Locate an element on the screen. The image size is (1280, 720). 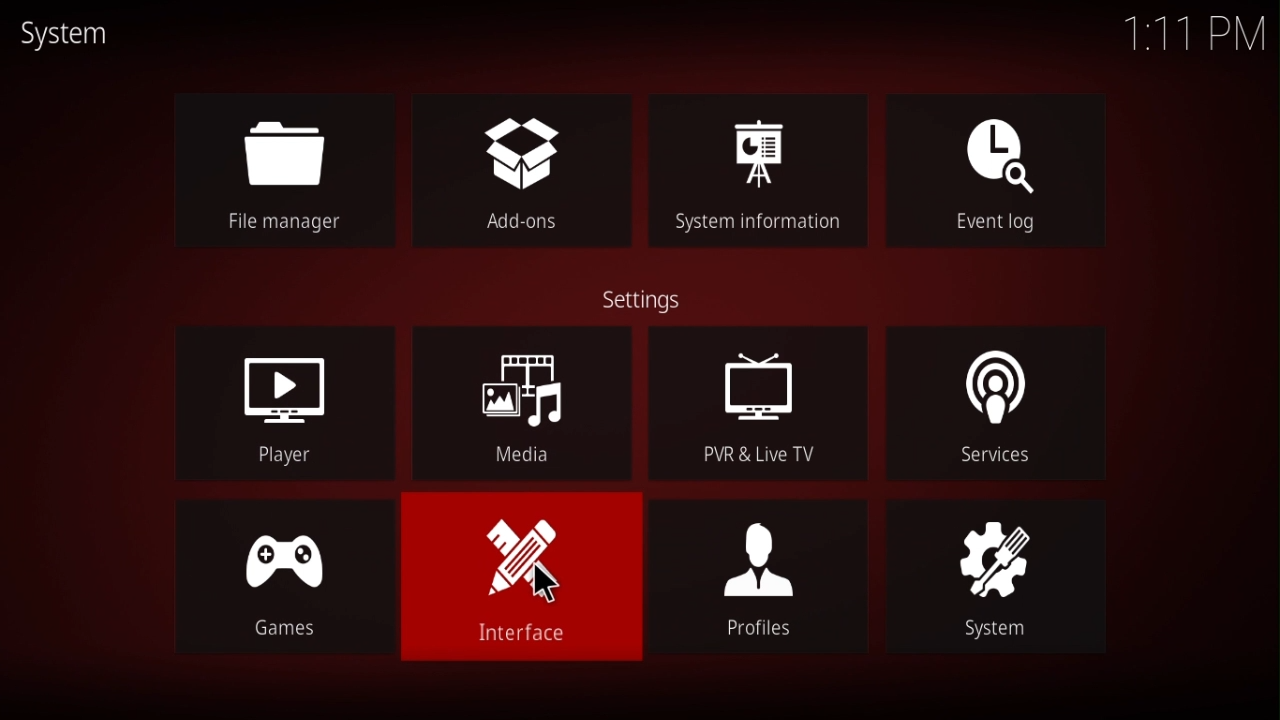
PVR & live TV is located at coordinates (753, 404).